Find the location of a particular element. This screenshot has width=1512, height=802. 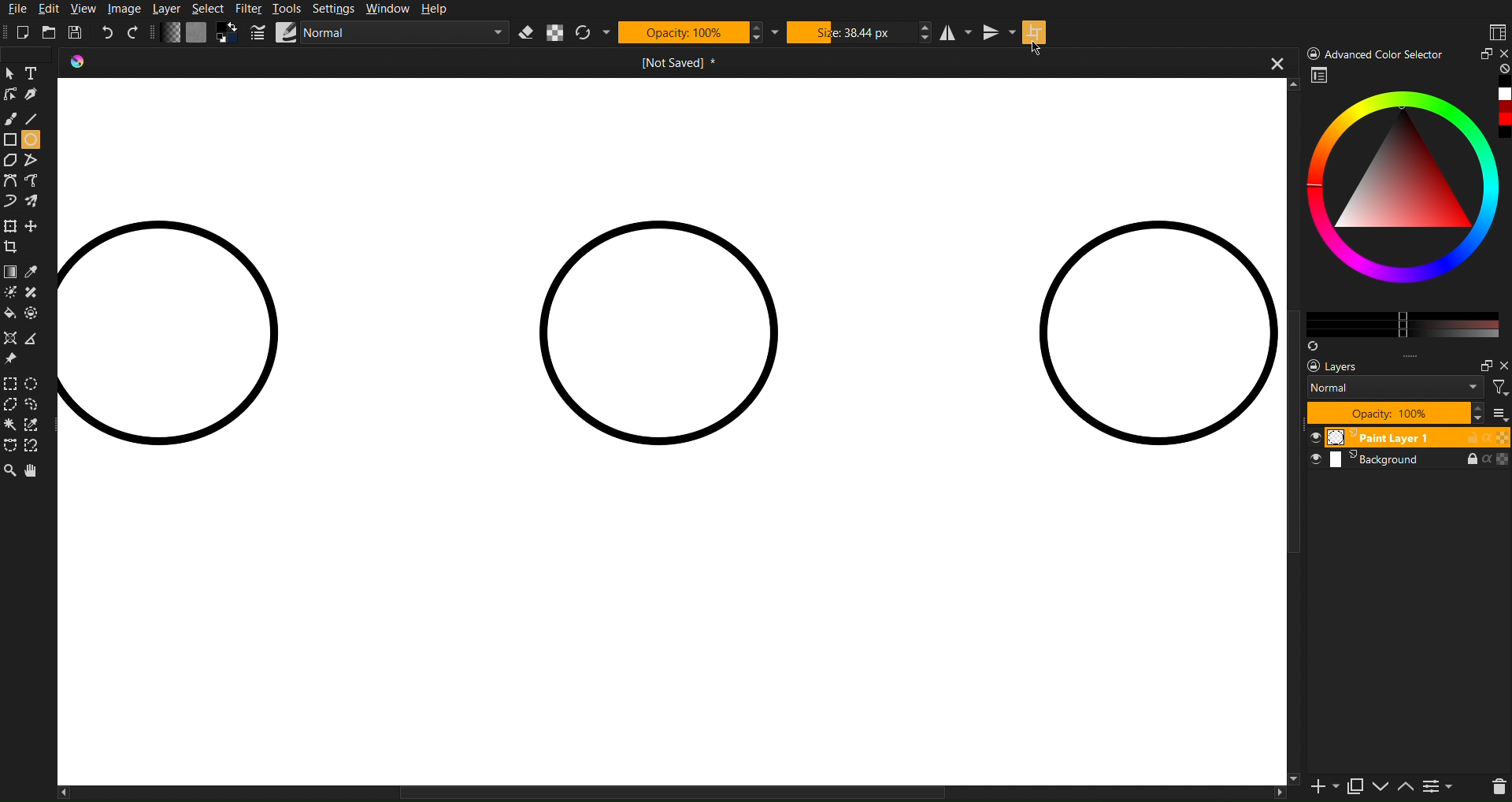

Layers is located at coordinates (1336, 366).